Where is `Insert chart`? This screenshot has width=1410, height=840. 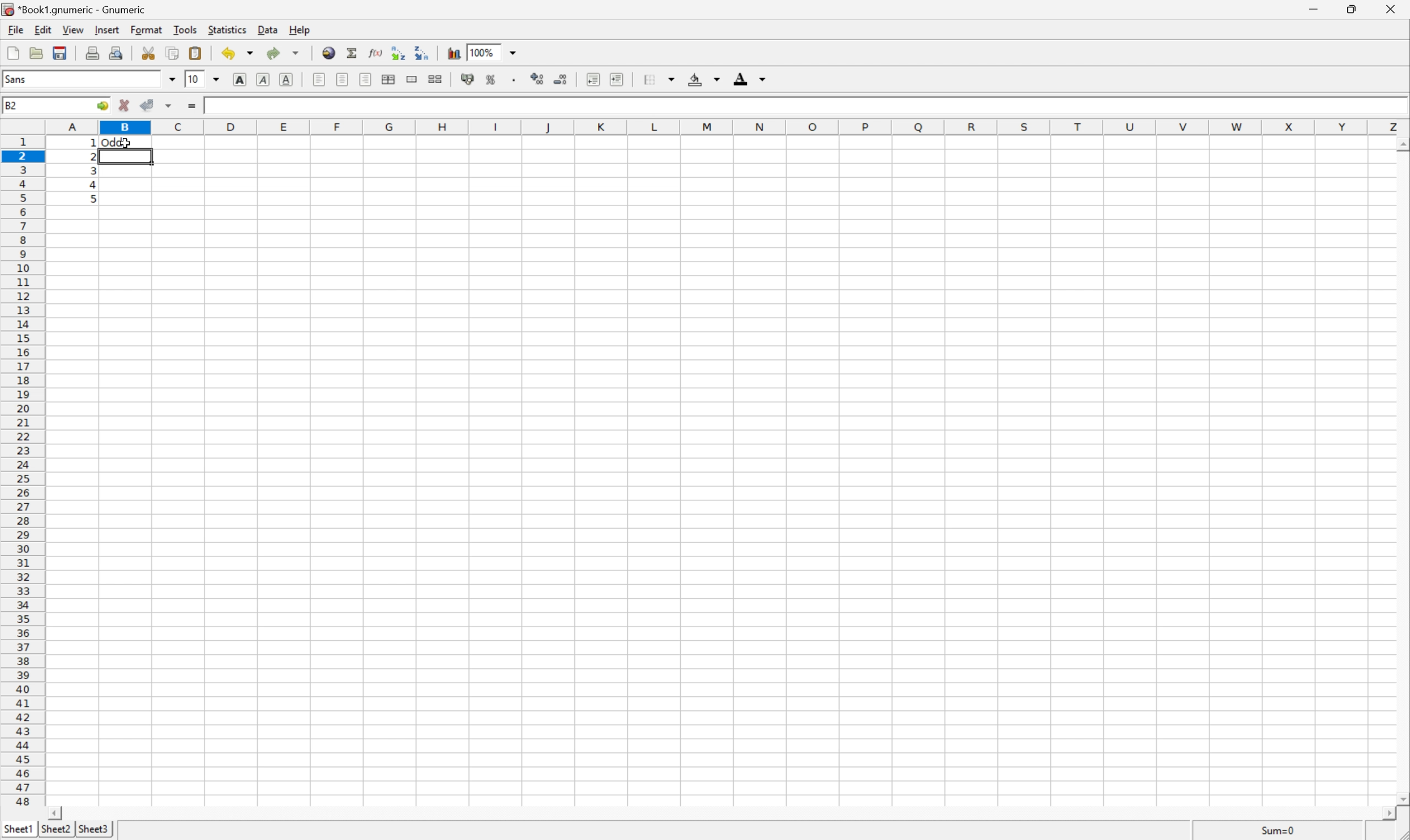
Insert chart is located at coordinates (454, 52).